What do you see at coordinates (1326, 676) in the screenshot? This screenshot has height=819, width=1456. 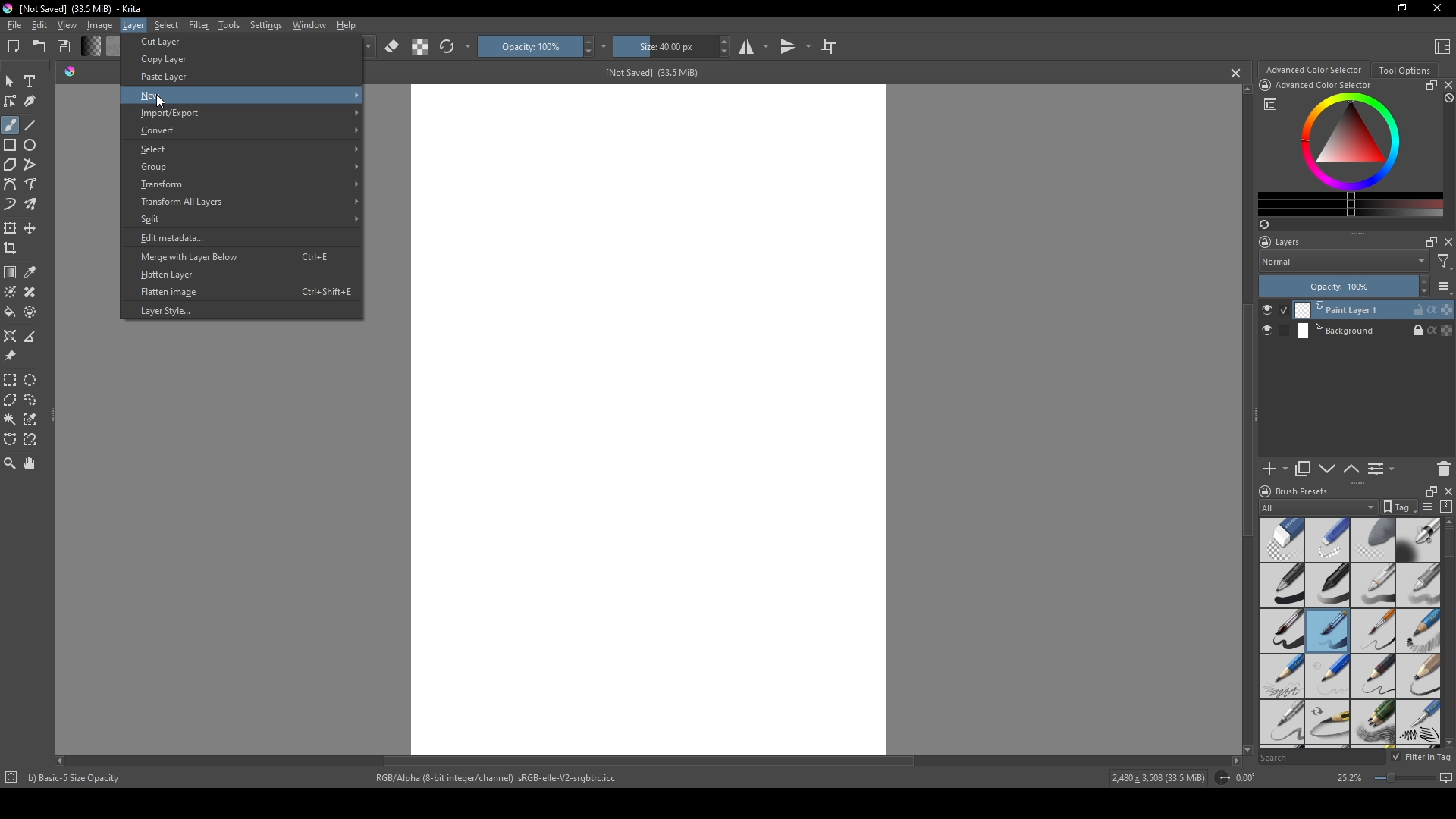 I see `pencil` at bounding box center [1326, 676].